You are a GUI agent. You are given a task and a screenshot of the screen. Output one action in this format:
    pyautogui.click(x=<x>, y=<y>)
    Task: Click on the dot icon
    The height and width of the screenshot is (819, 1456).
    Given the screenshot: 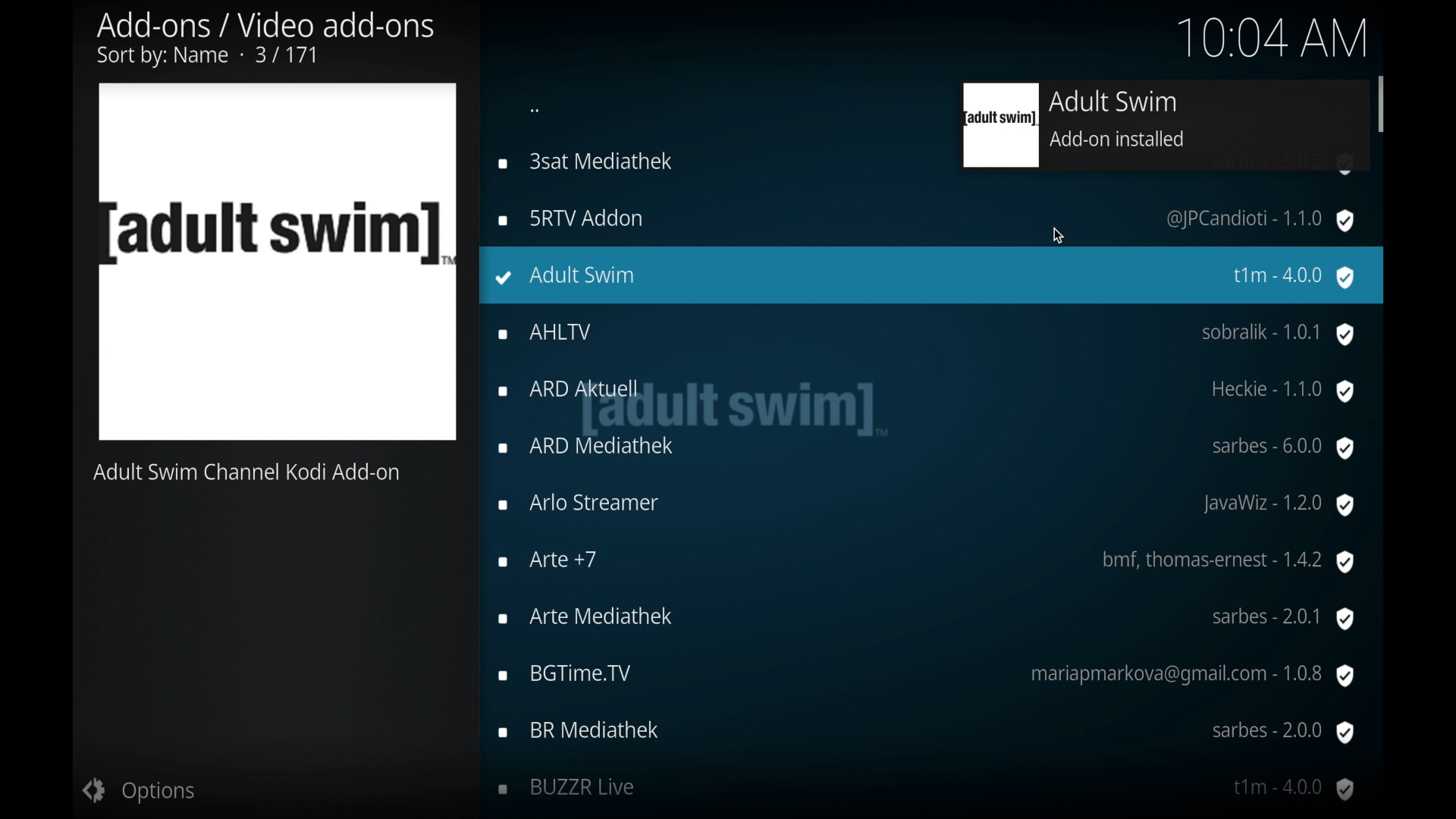 What is the action you would take?
    pyautogui.click(x=536, y=111)
    